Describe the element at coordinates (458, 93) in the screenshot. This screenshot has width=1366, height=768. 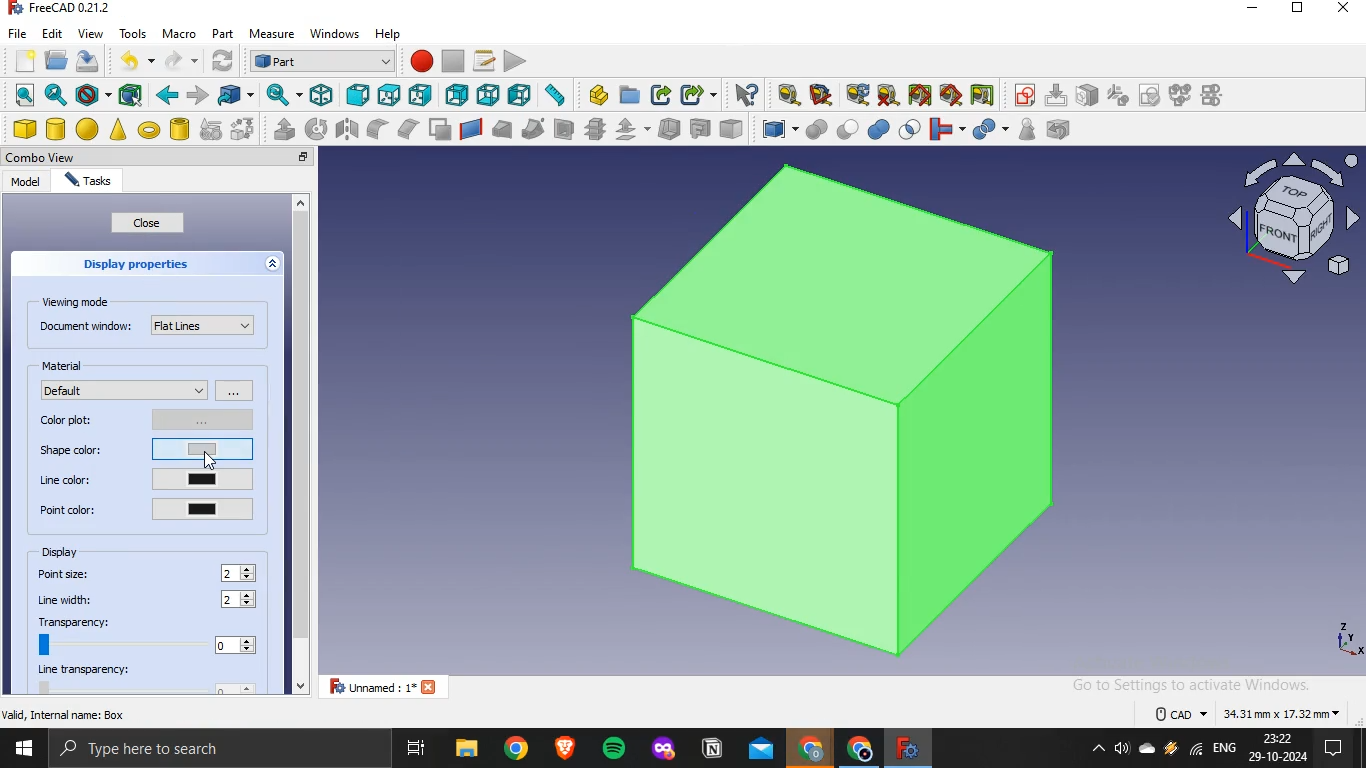
I see `rear` at that location.